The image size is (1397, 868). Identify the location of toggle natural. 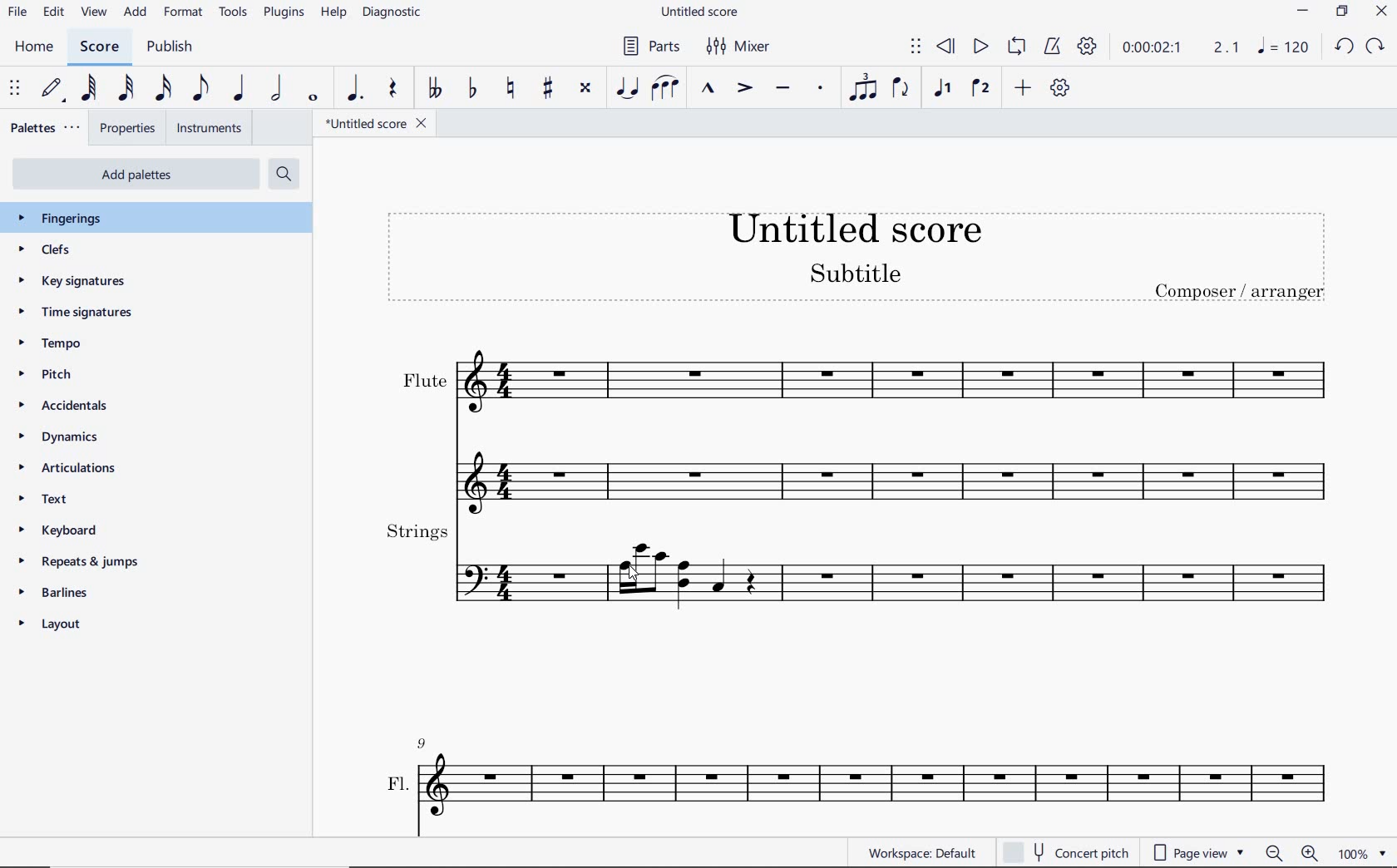
(513, 86).